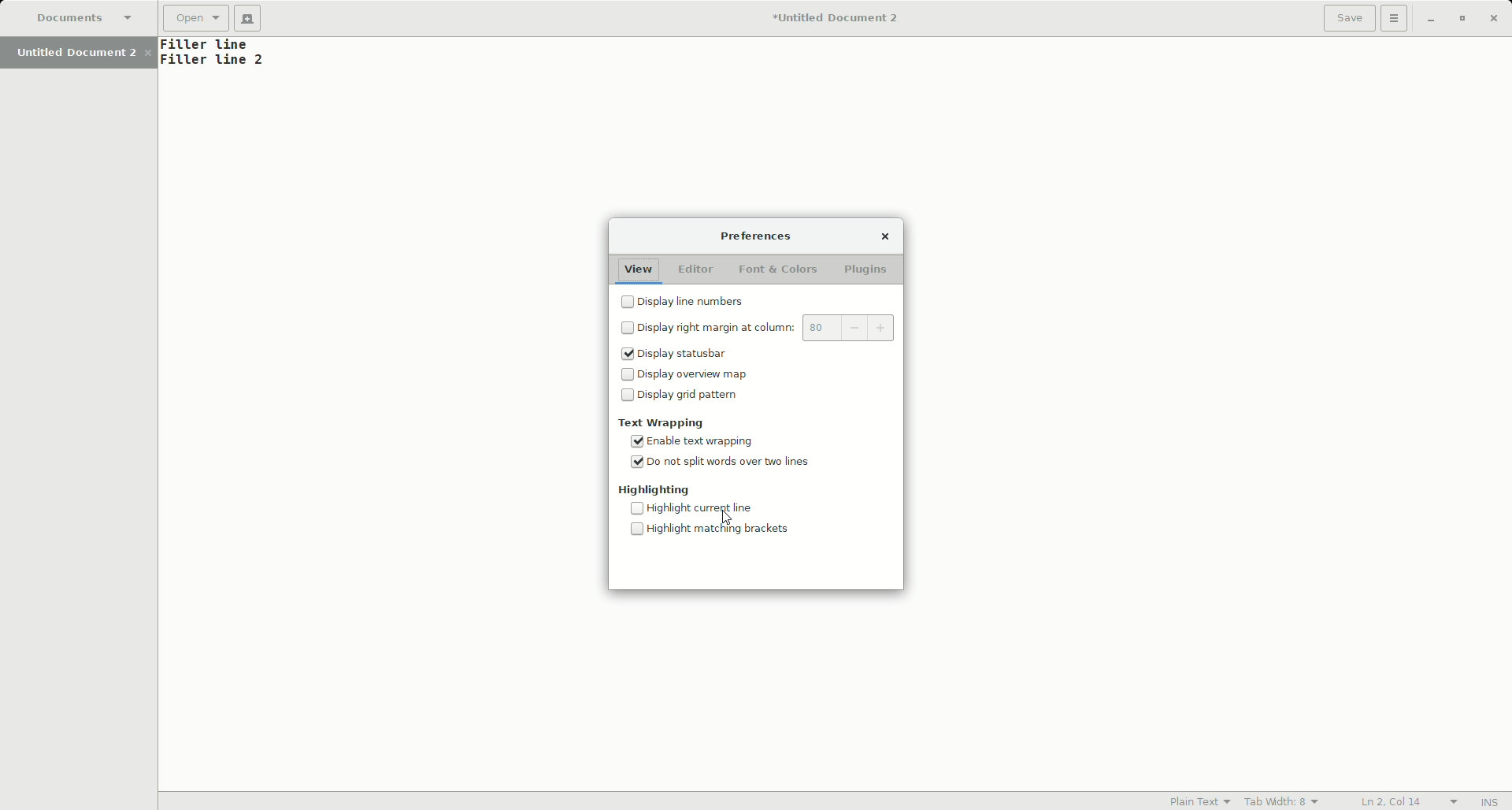 The image size is (1512, 810). Describe the element at coordinates (1495, 18) in the screenshot. I see `Close` at that location.